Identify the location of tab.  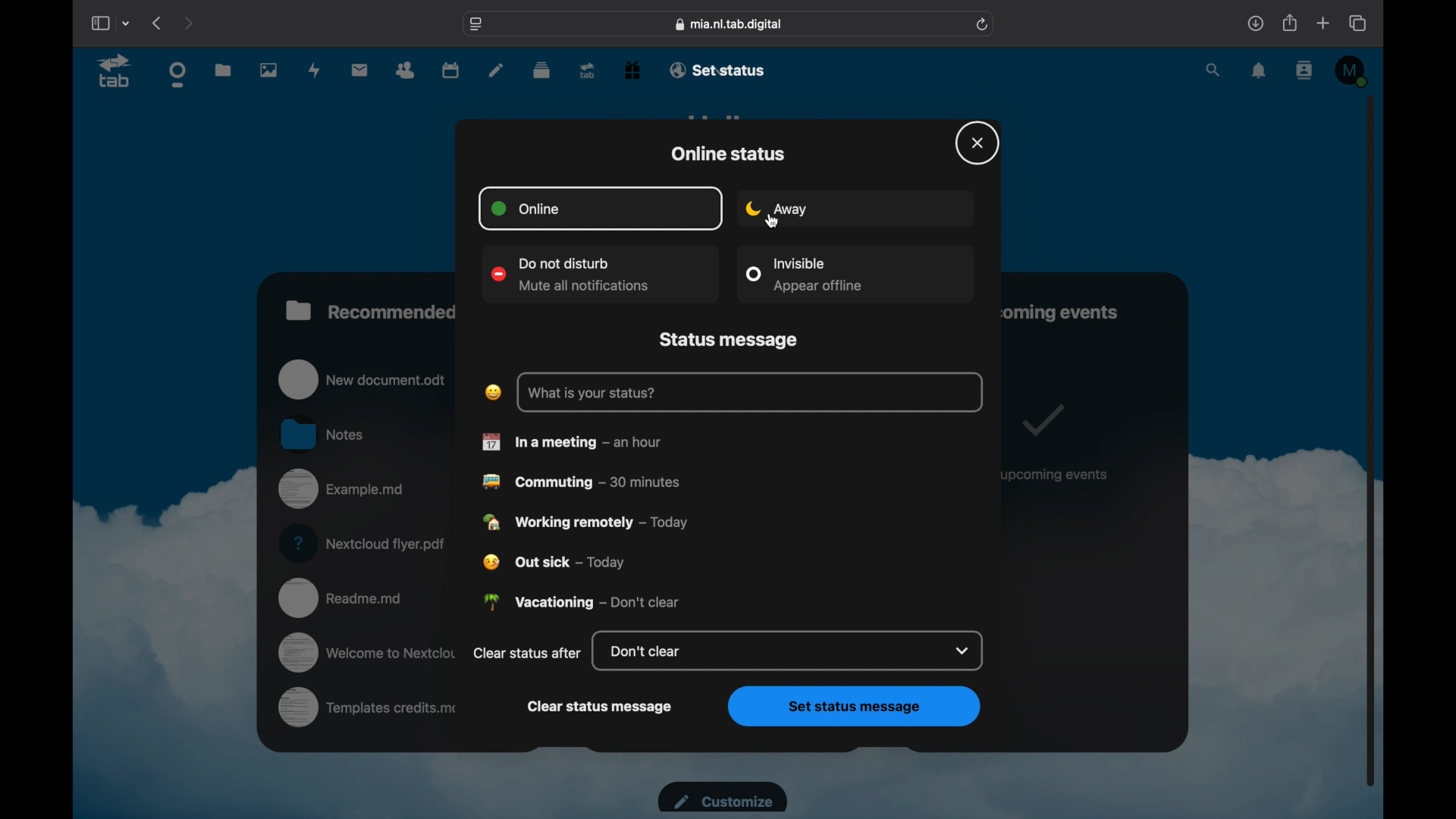
(588, 70).